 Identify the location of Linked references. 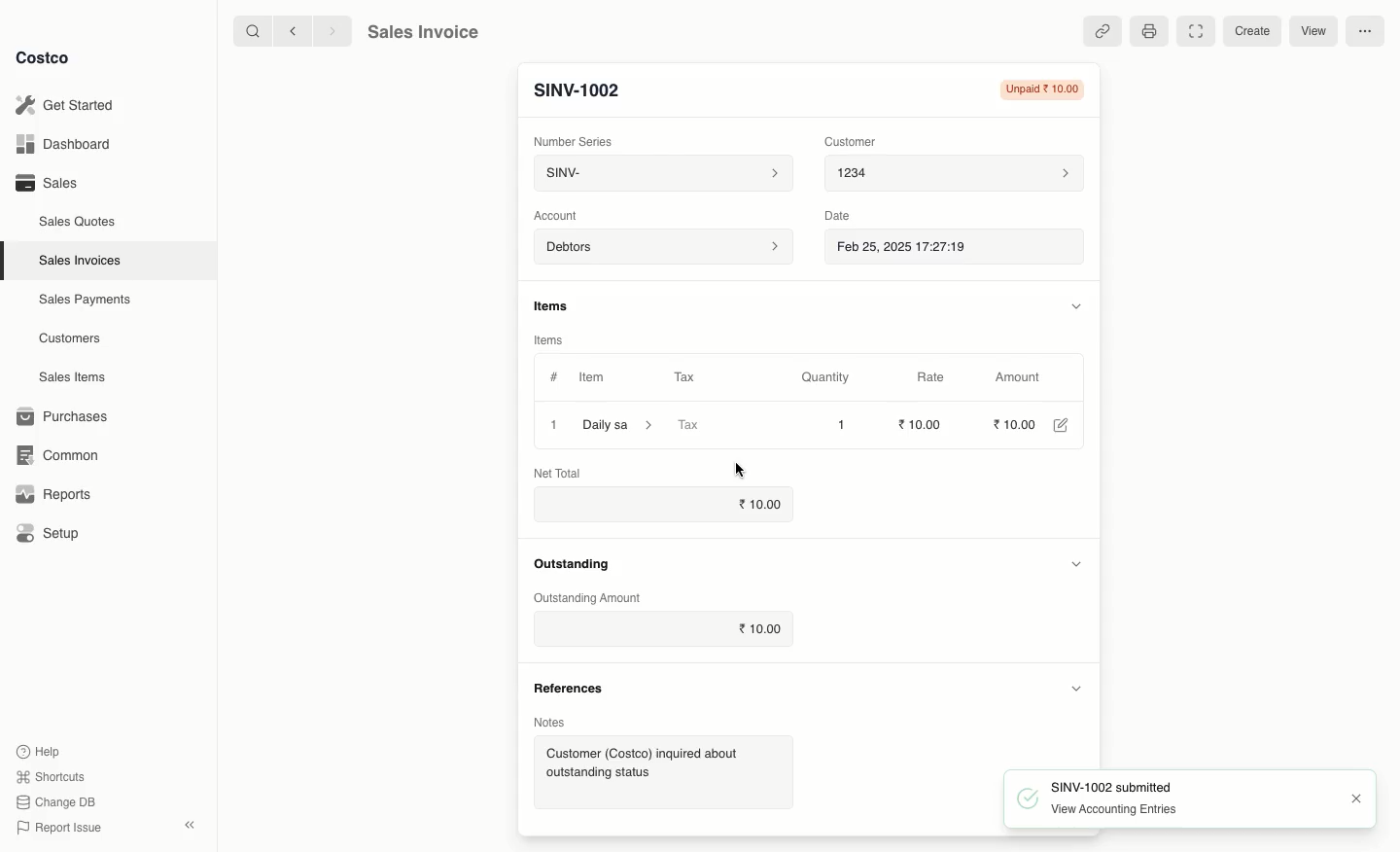
(1102, 30).